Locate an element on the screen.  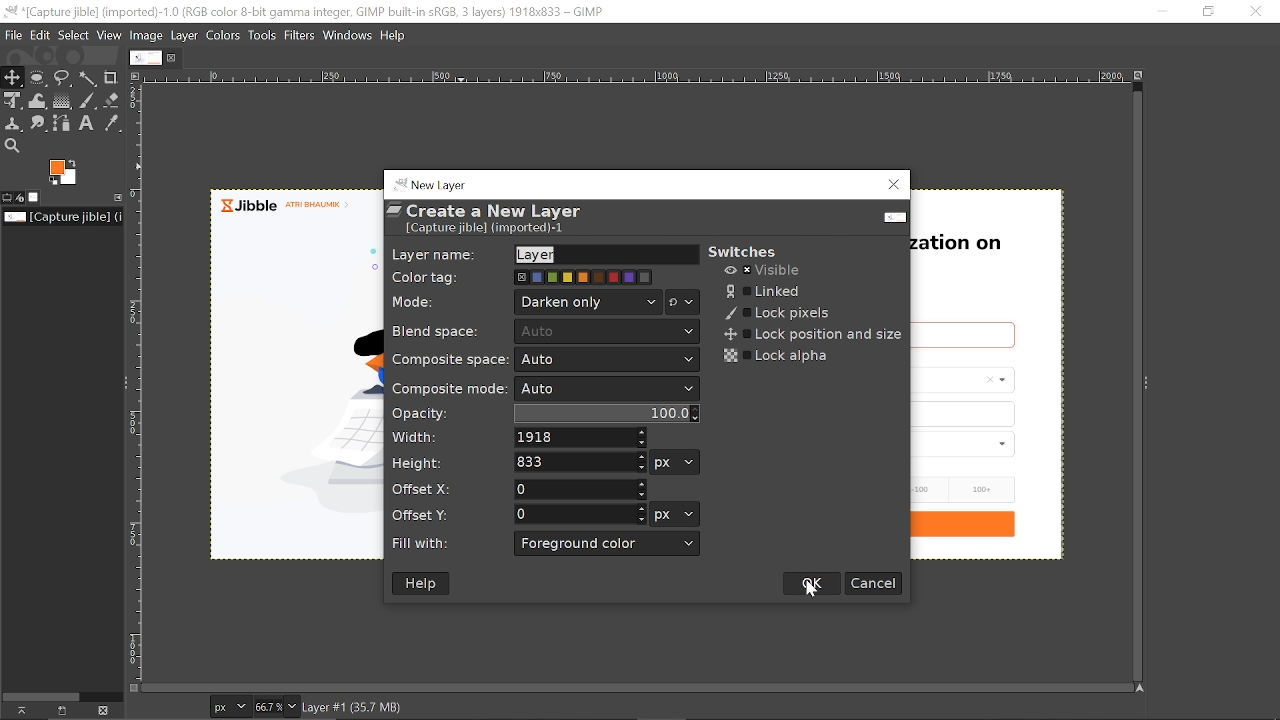
Filters is located at coordinates (301, 35).